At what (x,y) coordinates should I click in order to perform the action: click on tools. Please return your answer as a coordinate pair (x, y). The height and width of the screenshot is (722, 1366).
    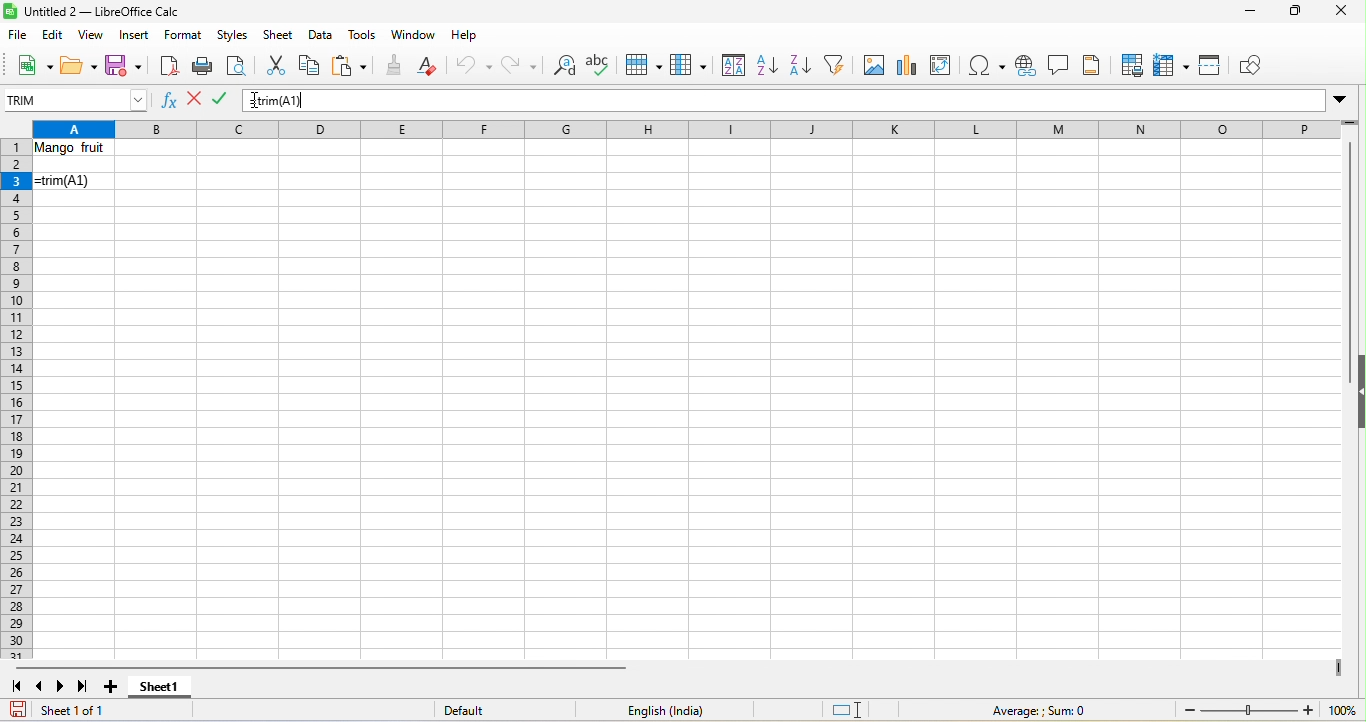
    Looking at the image, I should click on (364, 35).